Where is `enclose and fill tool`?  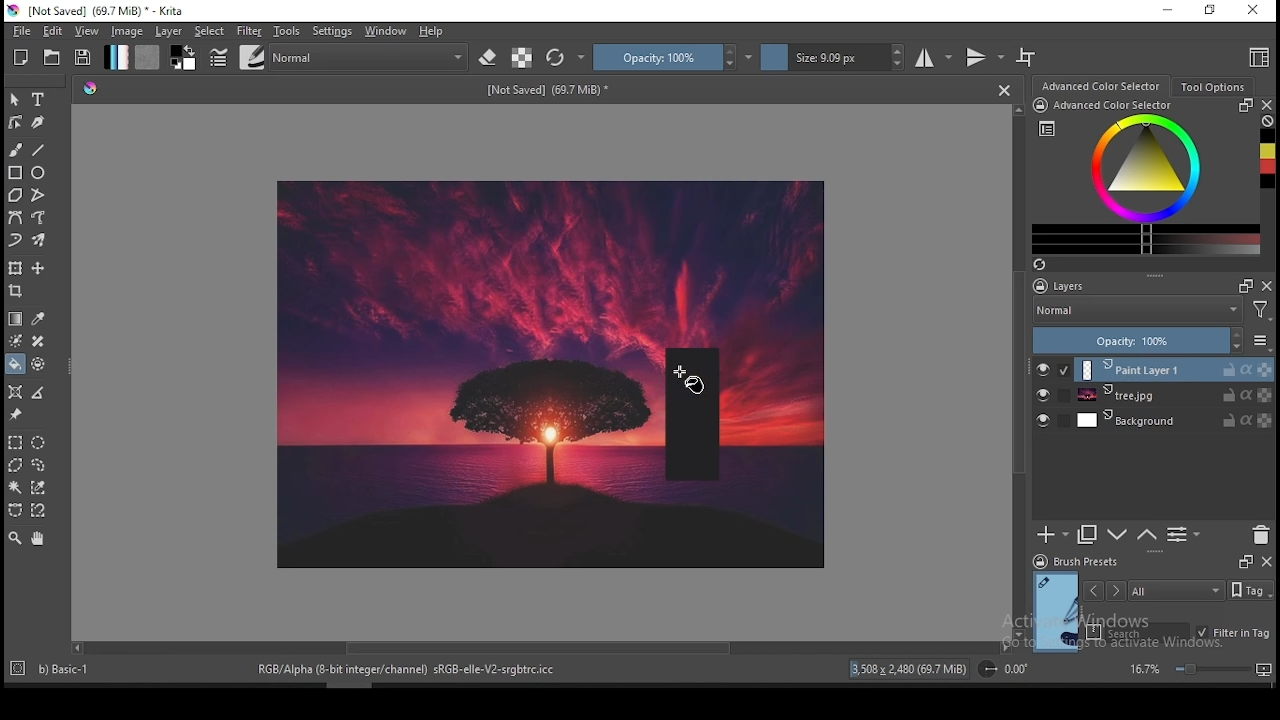 enclose and fill tool is located at coordinates (41, 364).